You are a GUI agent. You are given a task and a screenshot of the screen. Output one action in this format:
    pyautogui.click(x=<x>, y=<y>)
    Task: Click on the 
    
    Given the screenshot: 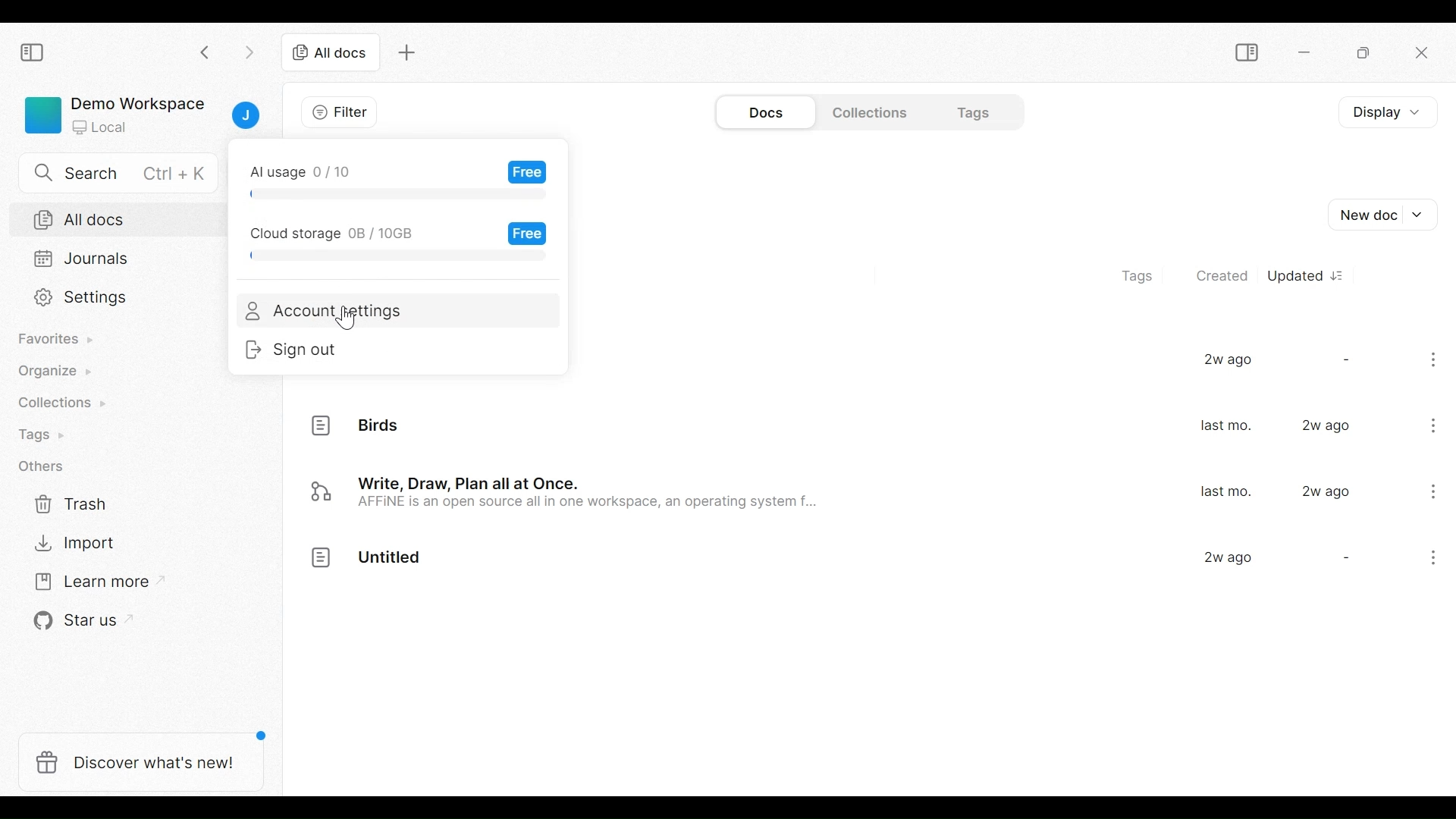 What is the action you would take?
    pyautogui.click(x=391, y=257)
    